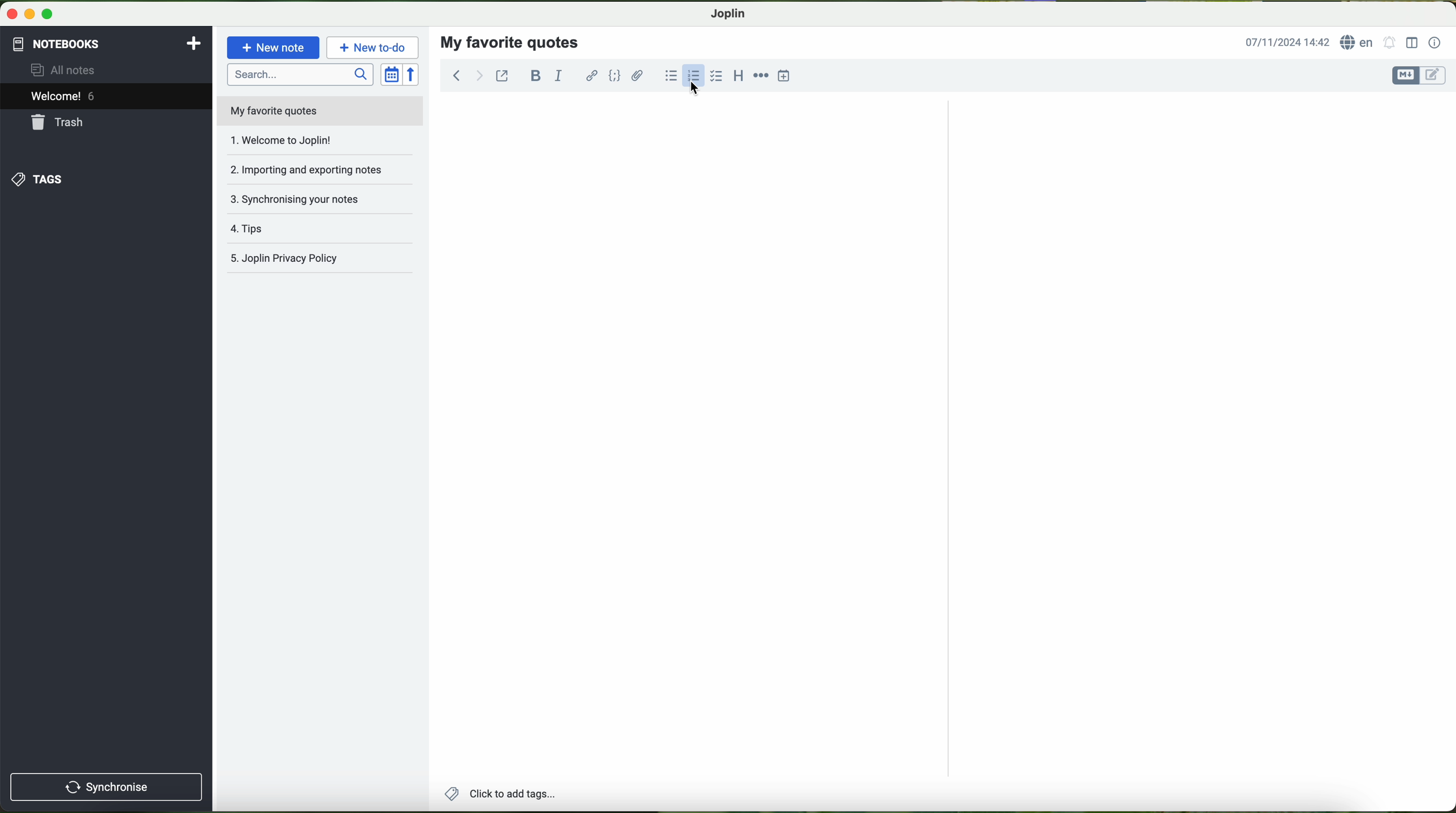  Describe the element at coordinates (276, 111) in the screenshot. I see `my favorite quotes file` at that location.